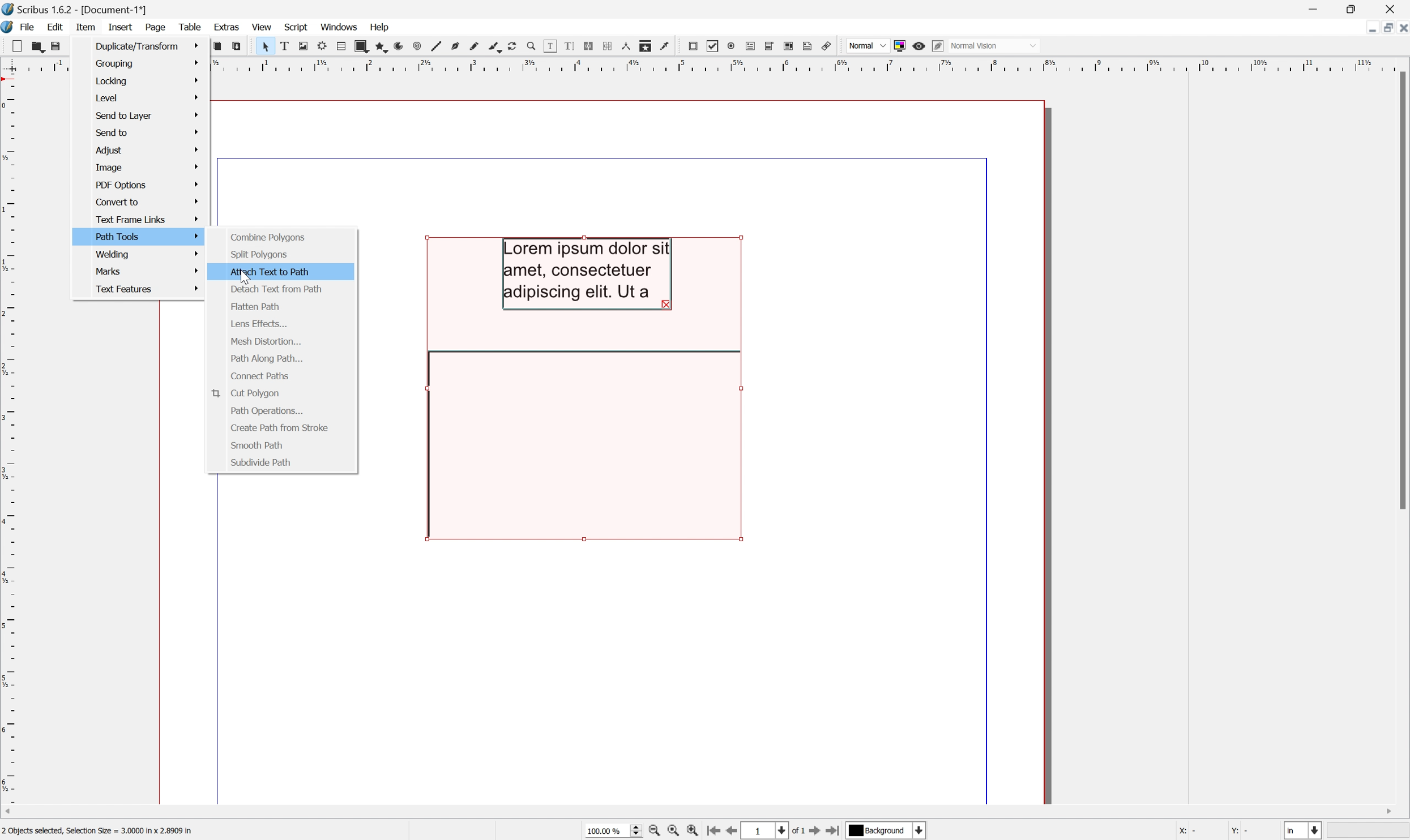  Describe the element at coordinates (646, 46) in the screenshot. I see `Copy item properties` at that location.